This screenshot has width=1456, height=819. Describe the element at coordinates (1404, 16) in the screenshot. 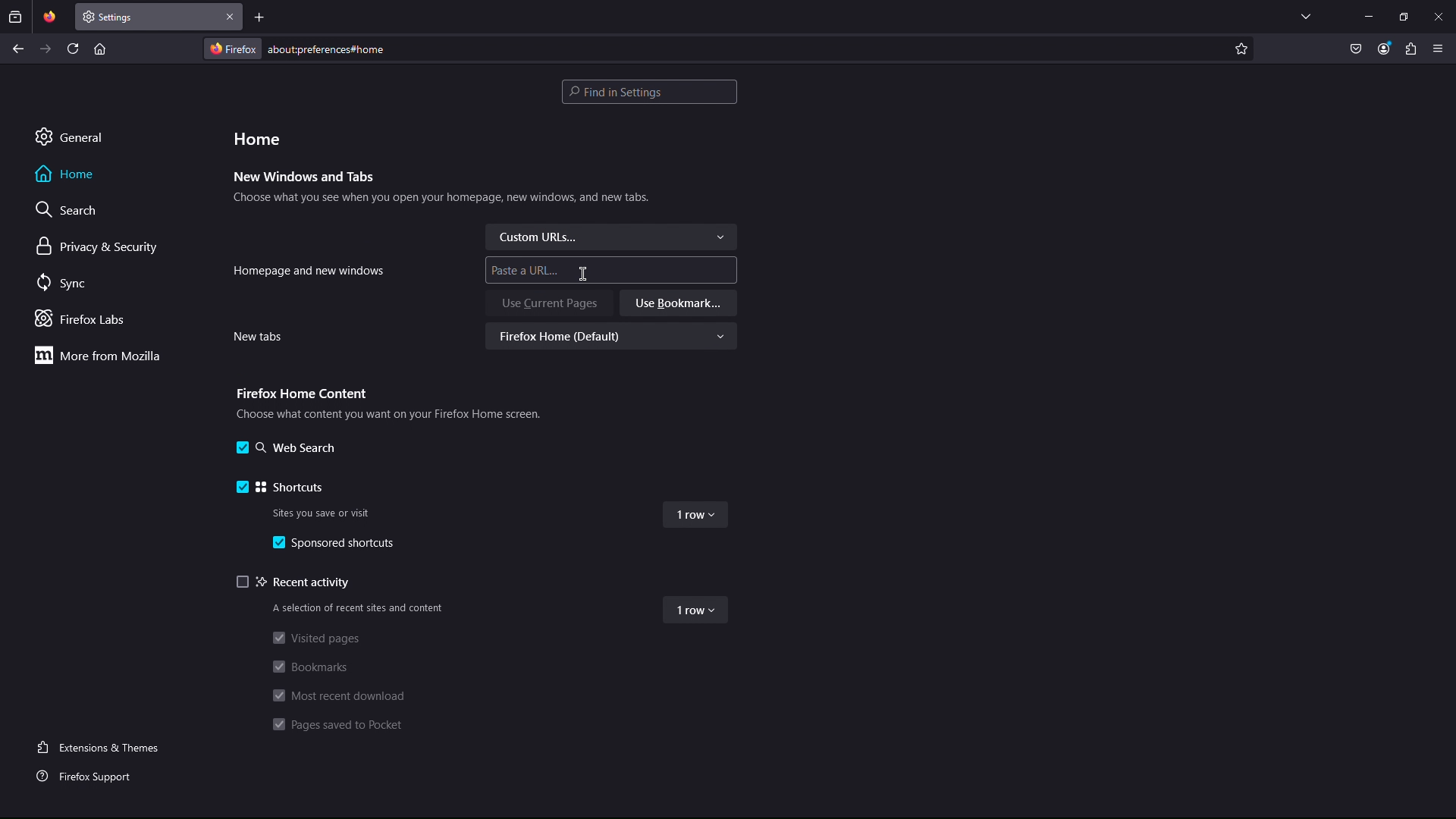

I see `Maximize` at that location.